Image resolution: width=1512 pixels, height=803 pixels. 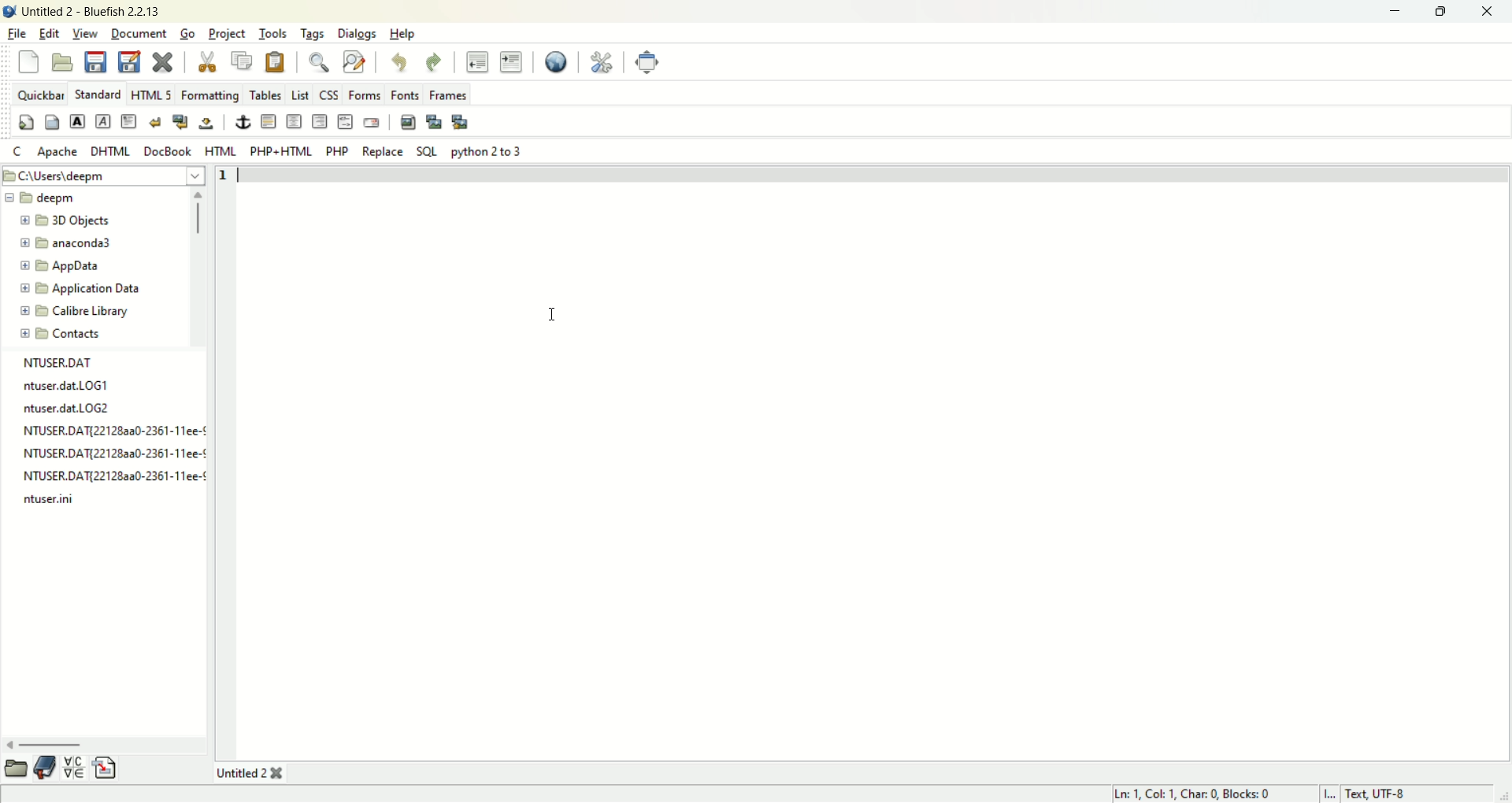 I want to click on help, so click(x=404, y=35).